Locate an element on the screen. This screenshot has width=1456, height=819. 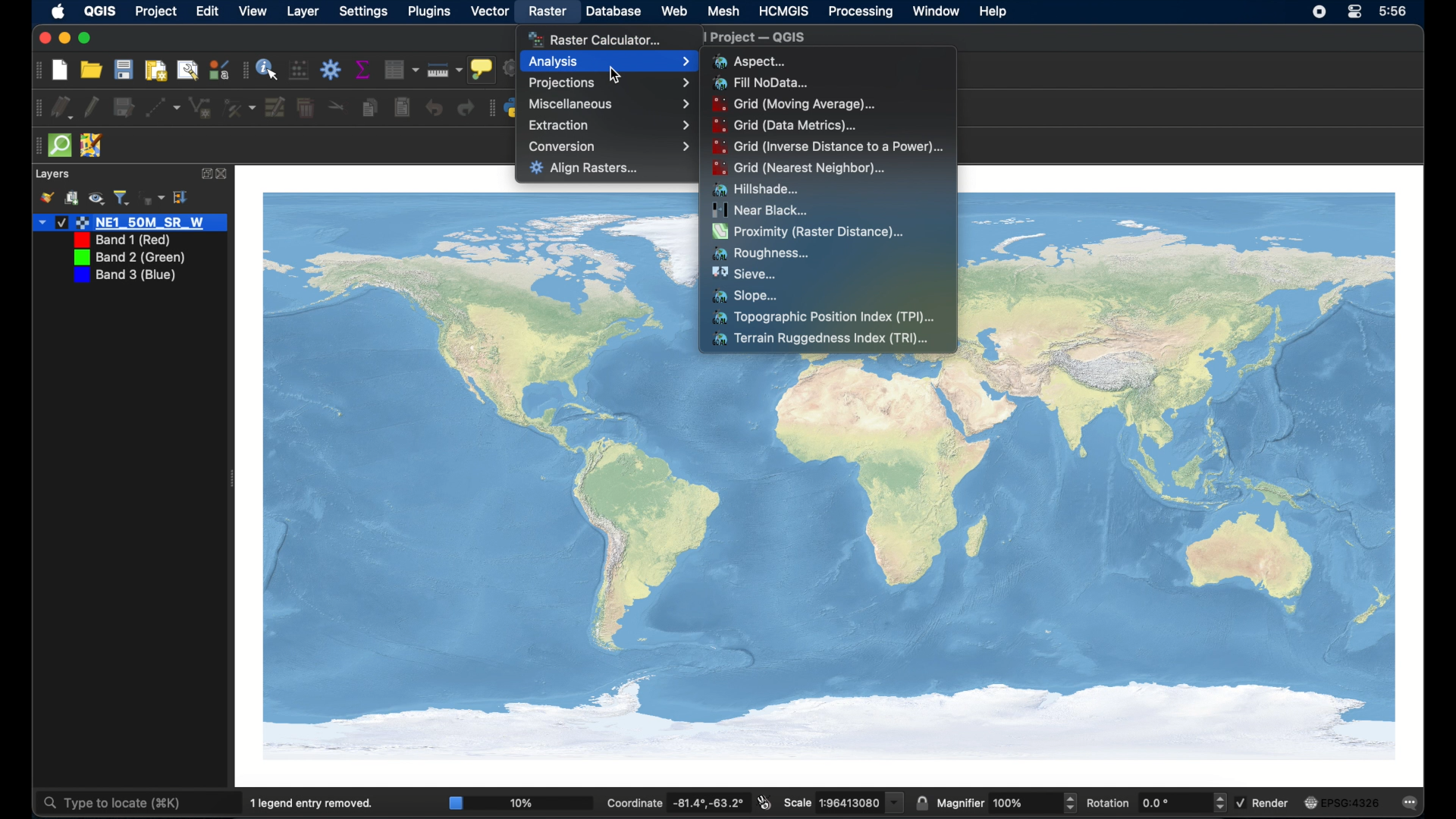
close is located at coordinates (224, 174).